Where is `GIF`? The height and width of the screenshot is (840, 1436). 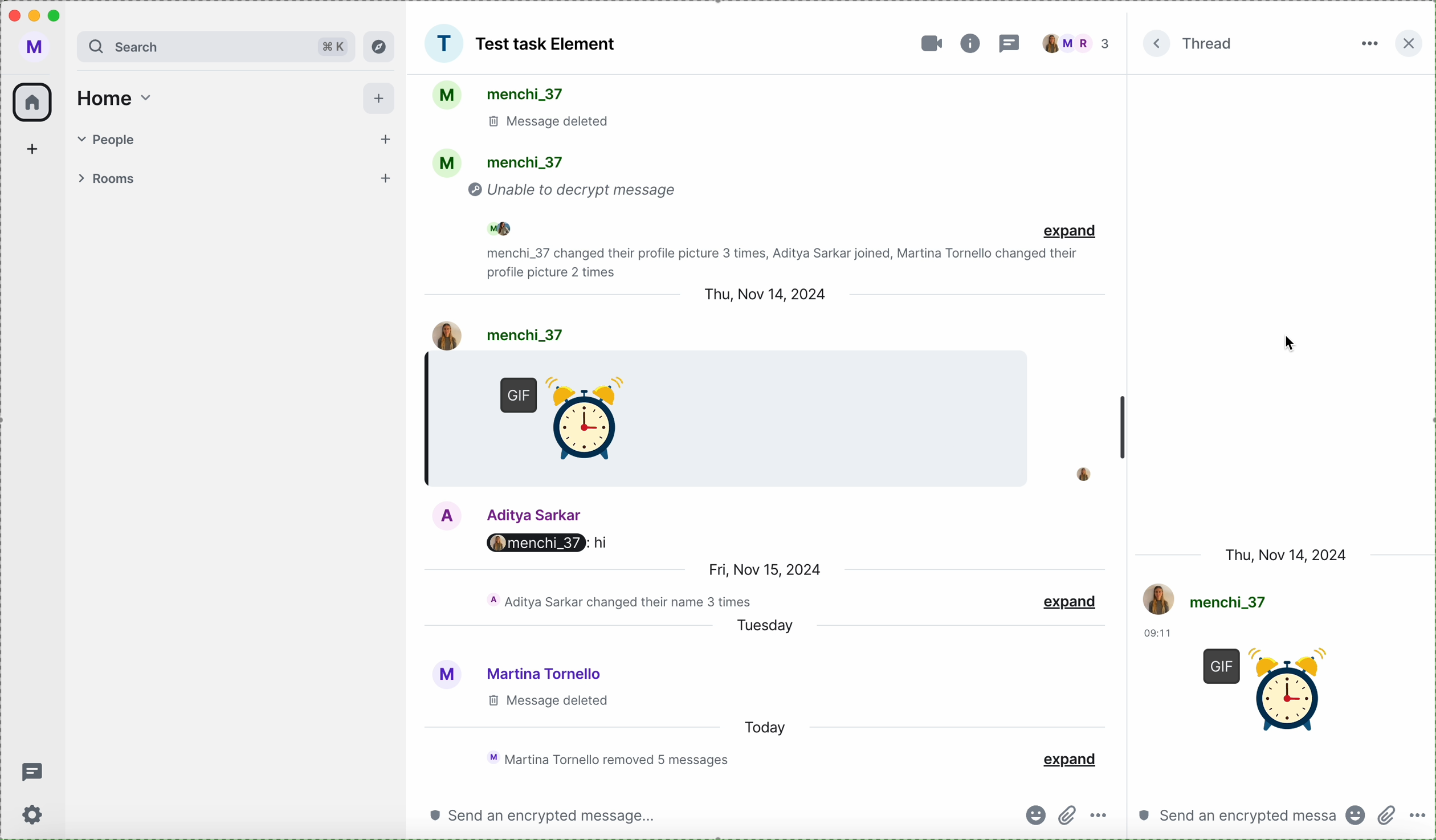
GIF is located at coordinates (1266, 688).